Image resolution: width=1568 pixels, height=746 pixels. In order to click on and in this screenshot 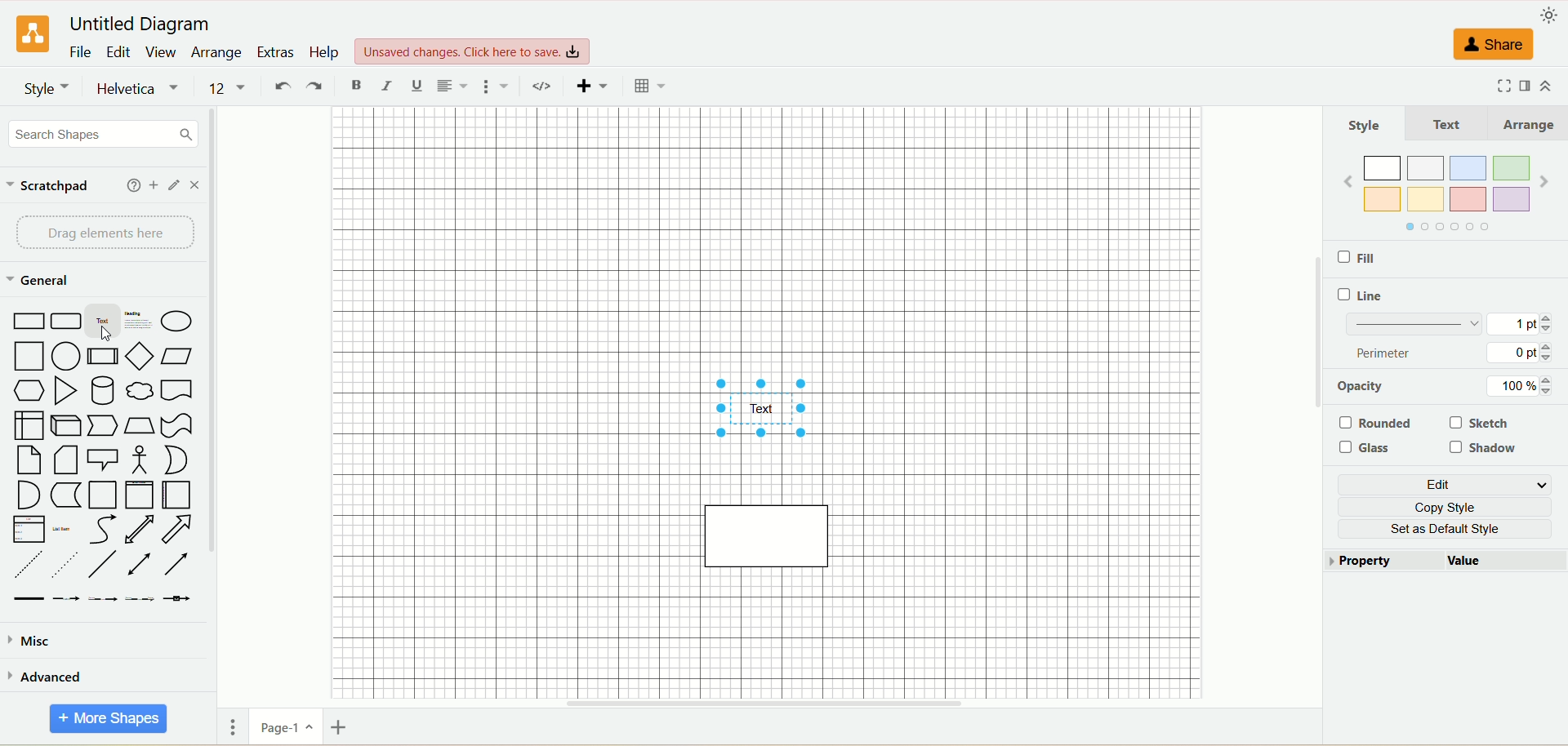, I will do `click(26, 495)`.